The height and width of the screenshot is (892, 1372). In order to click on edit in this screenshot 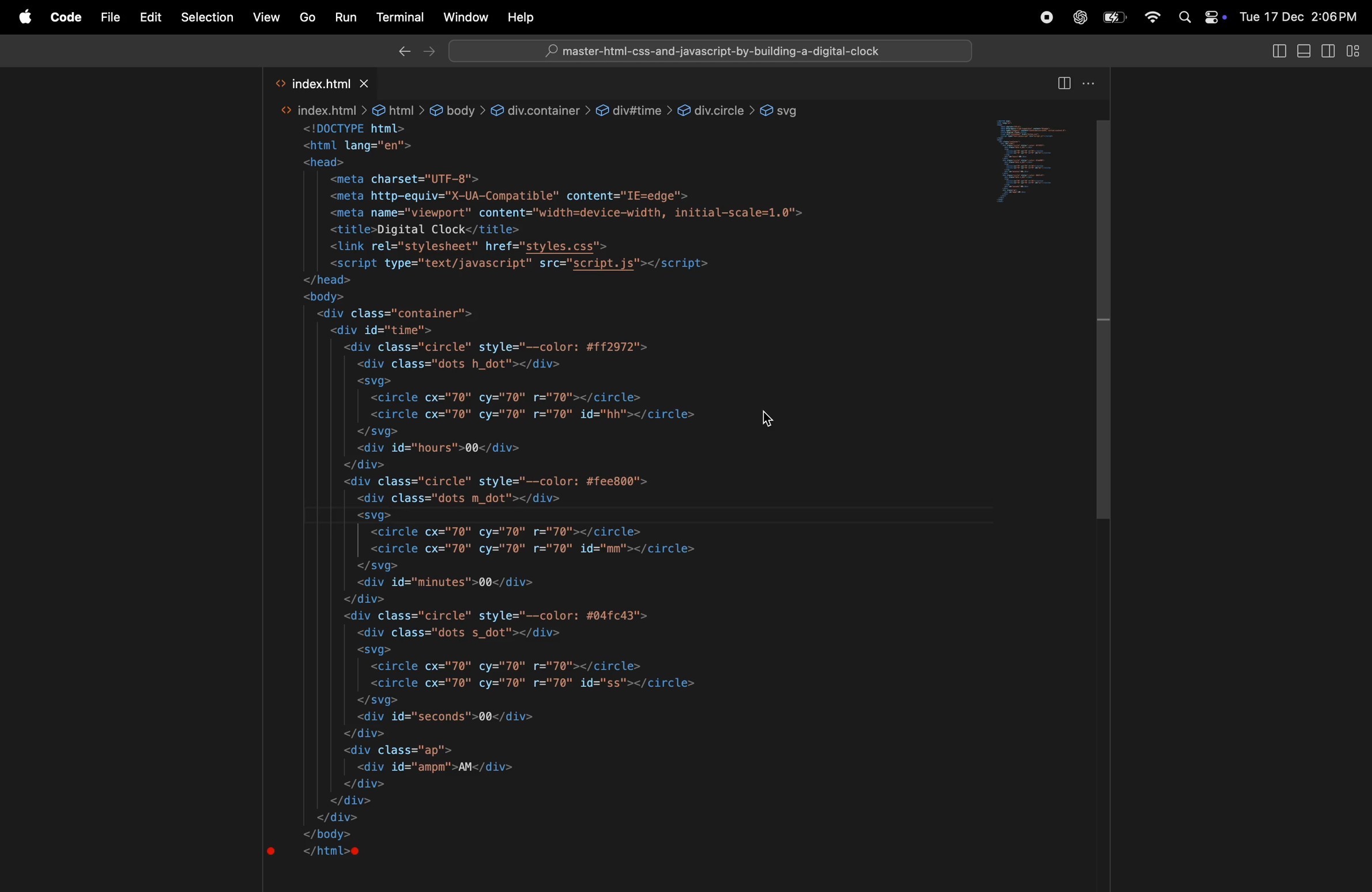, I will do `click(151, 17)`.